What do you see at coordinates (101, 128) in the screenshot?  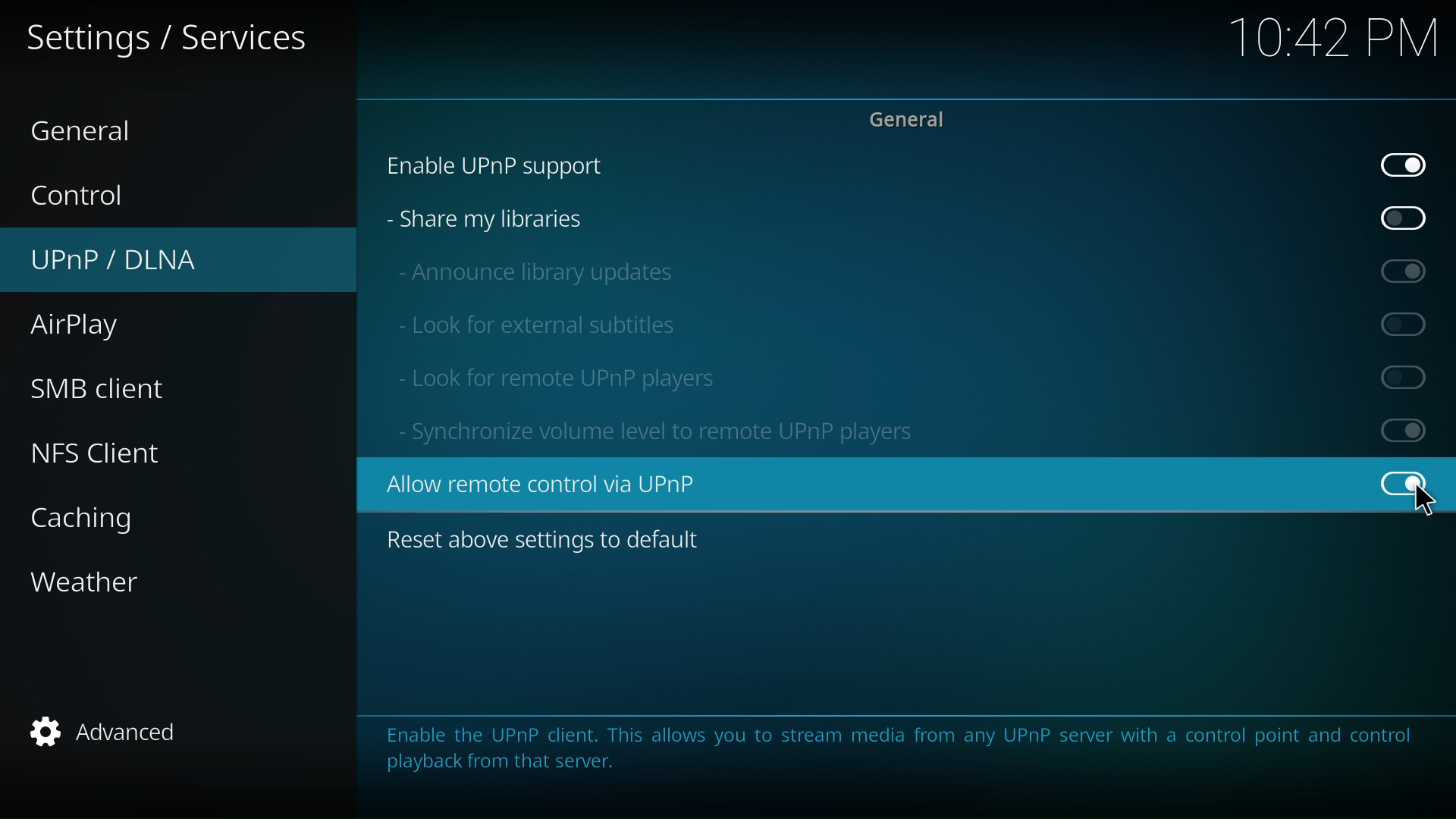 I see `general` at bounding box center [101, 128].